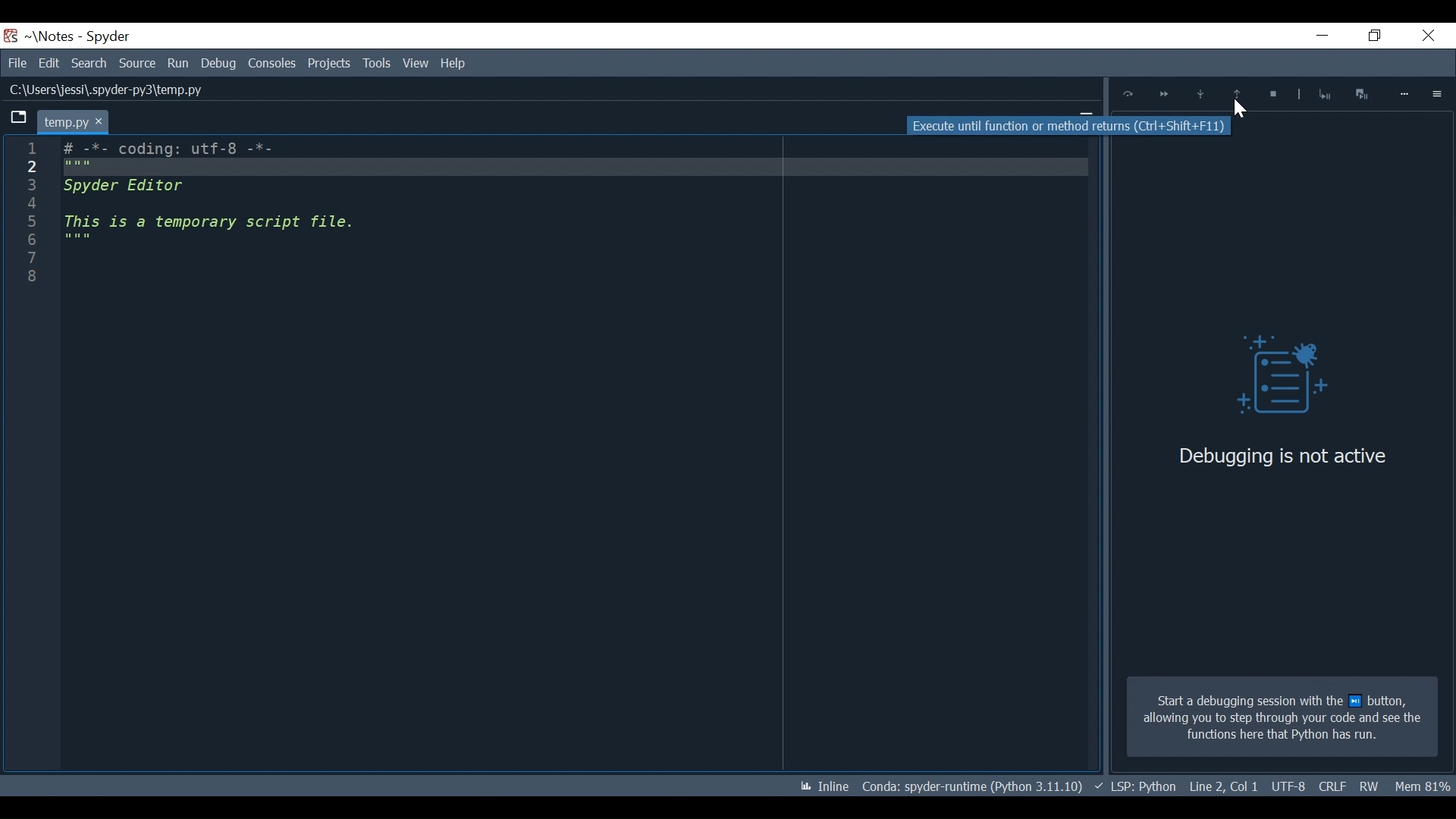  Describe the element at coordinates (1128, 94) in the screenshot. I see `Execute Current Line` at that location.